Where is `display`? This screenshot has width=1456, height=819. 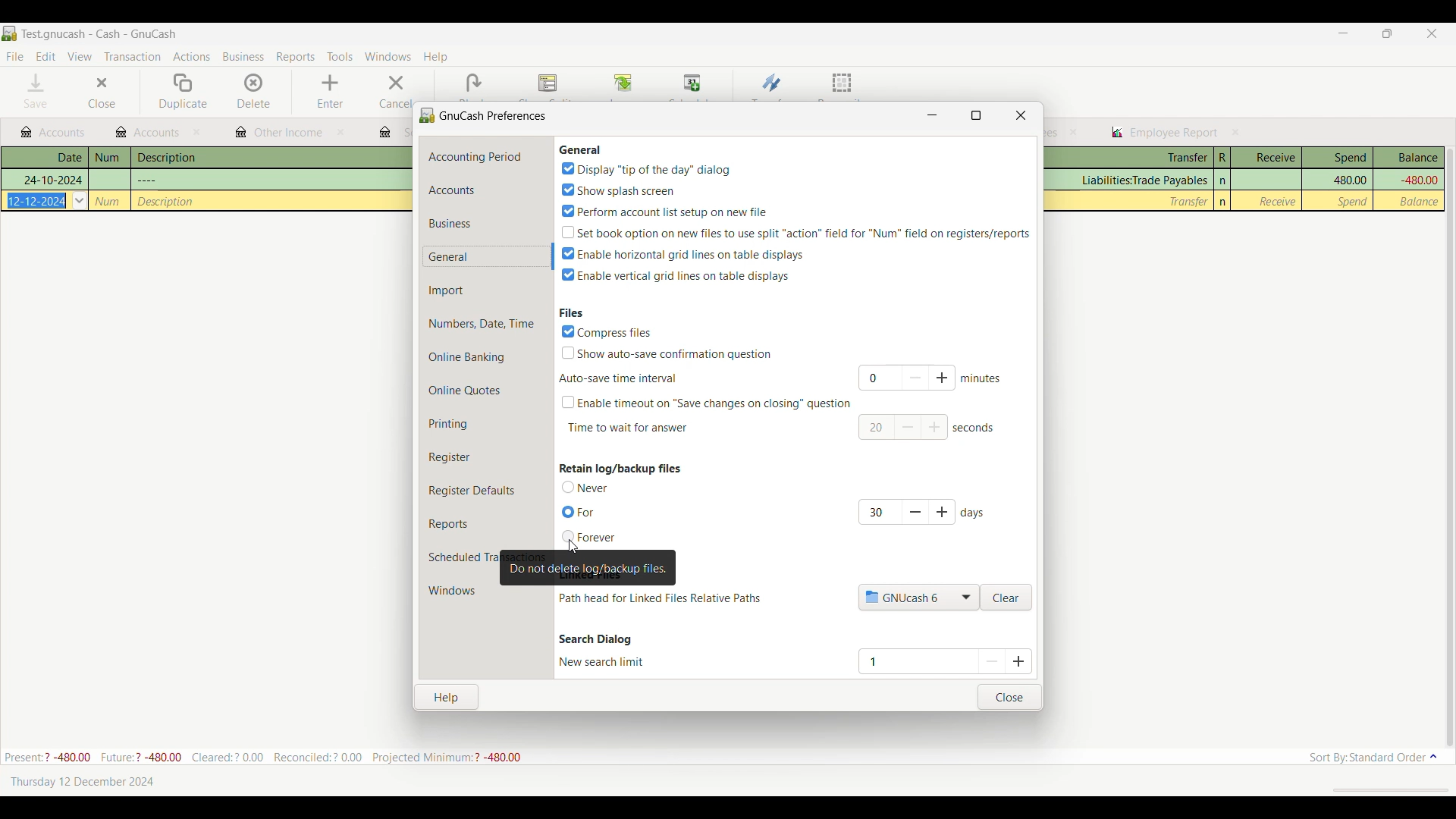
display is located at coordinates (645, 169).